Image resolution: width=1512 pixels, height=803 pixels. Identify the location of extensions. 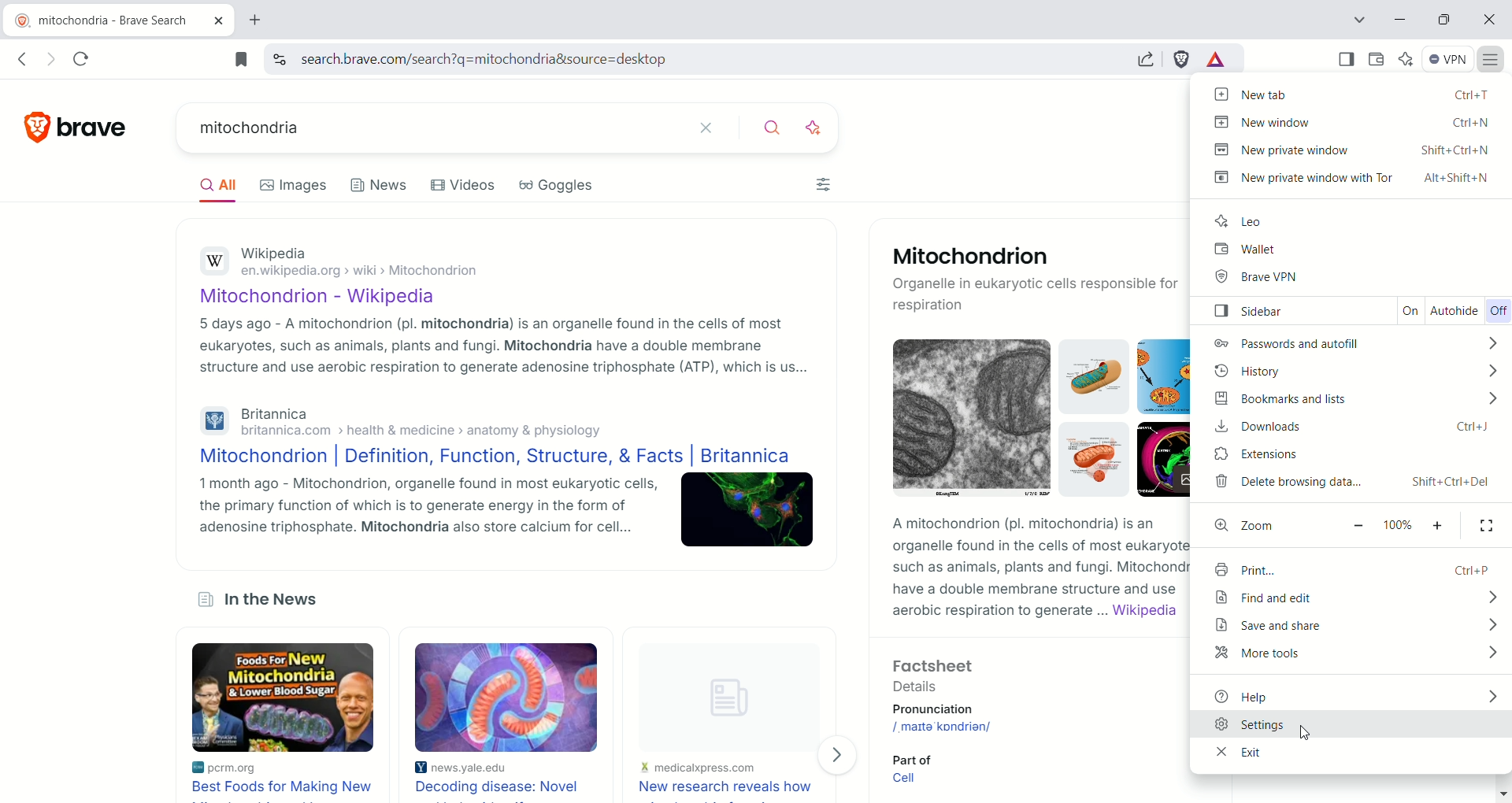
(1343, 451).